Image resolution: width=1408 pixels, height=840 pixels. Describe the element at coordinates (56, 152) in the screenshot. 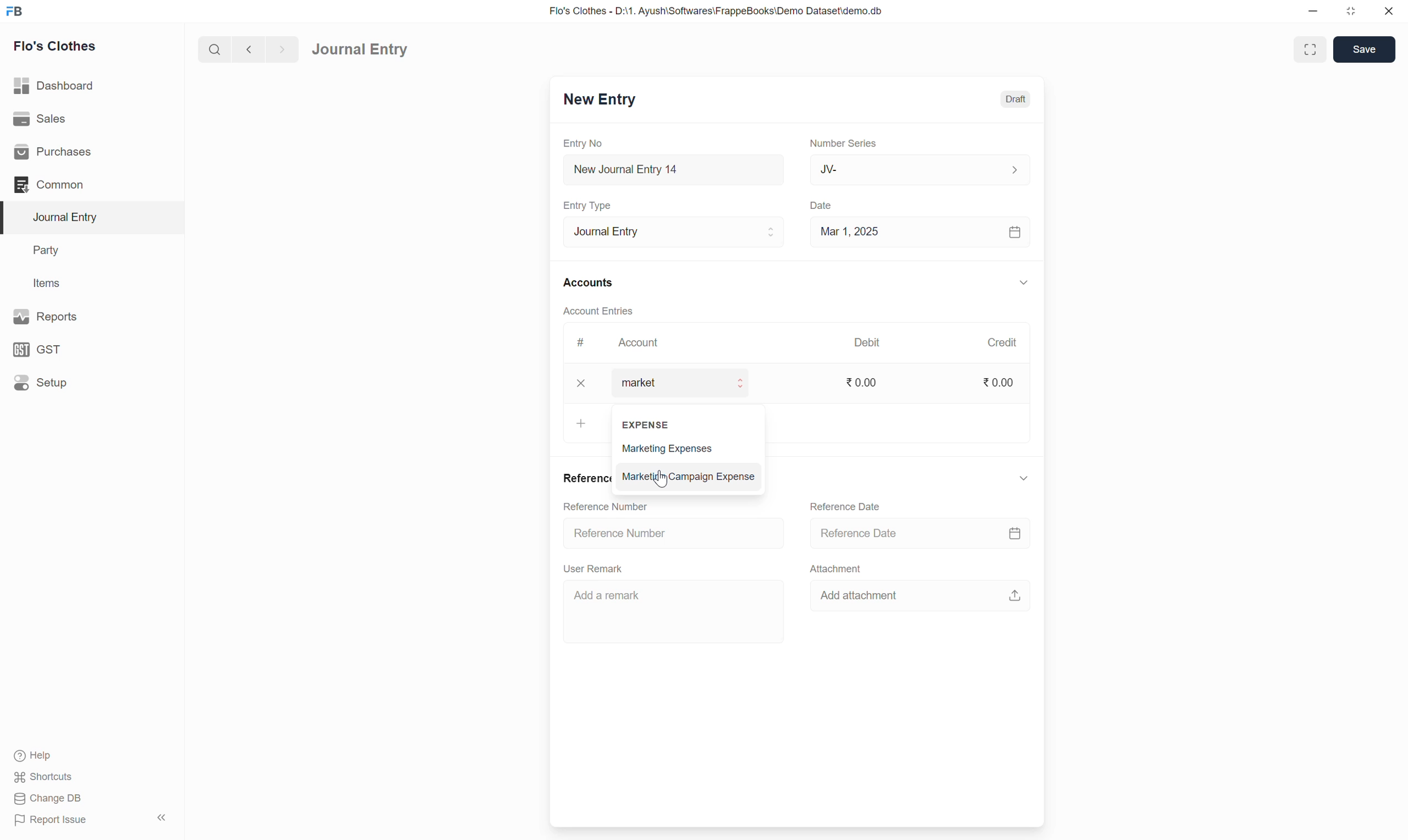

I see `Purchases` at that location.